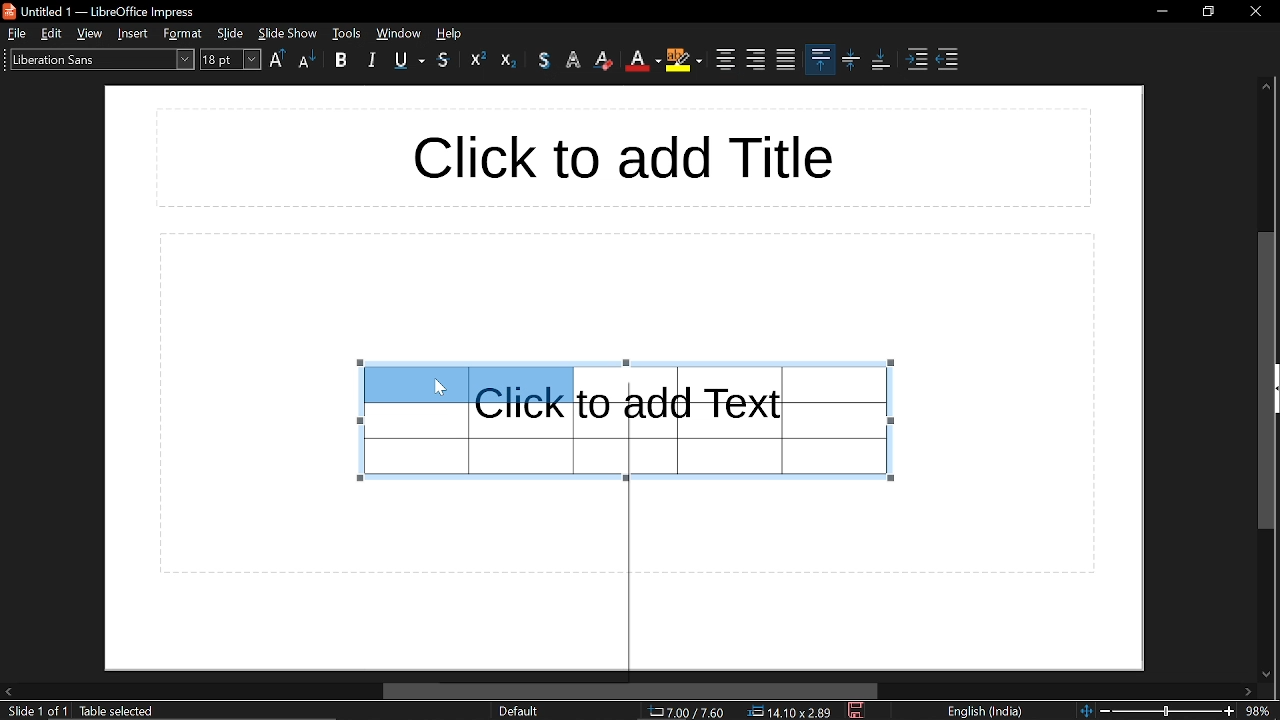 The image size is (1280, 720). I want to click on italic, so click(371, 61).